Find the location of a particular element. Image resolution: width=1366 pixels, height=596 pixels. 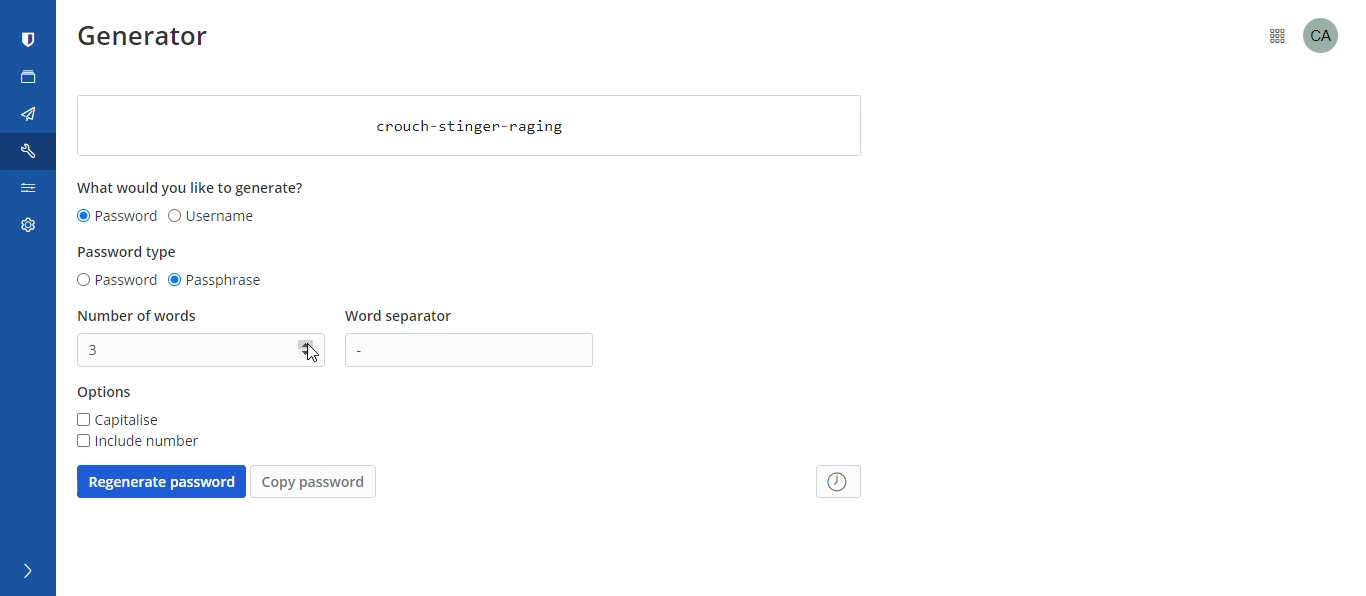

menu is located at coordinates (1277, 34).